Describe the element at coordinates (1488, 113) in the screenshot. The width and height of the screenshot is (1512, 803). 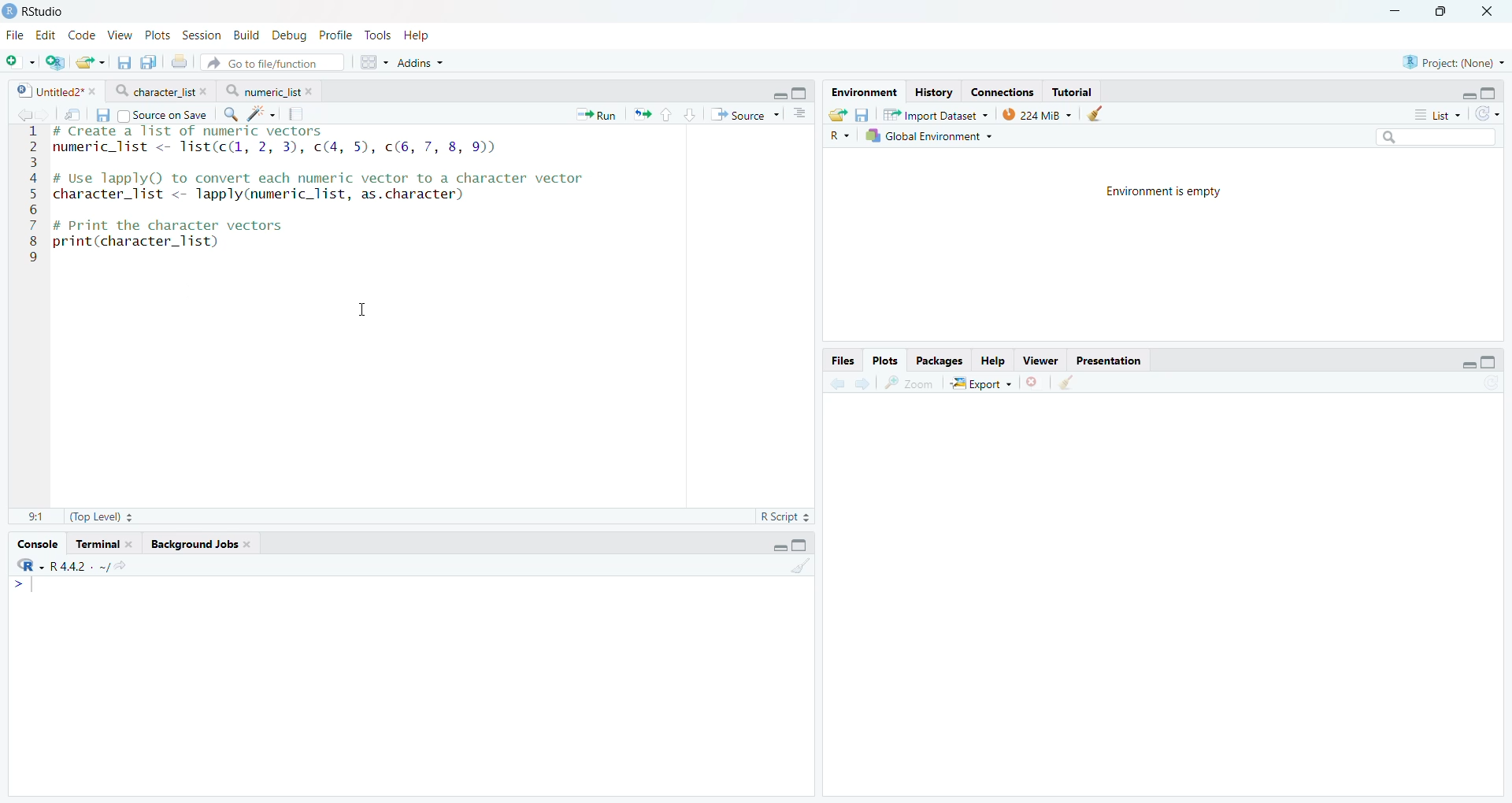
I see `Refresh` at that location.